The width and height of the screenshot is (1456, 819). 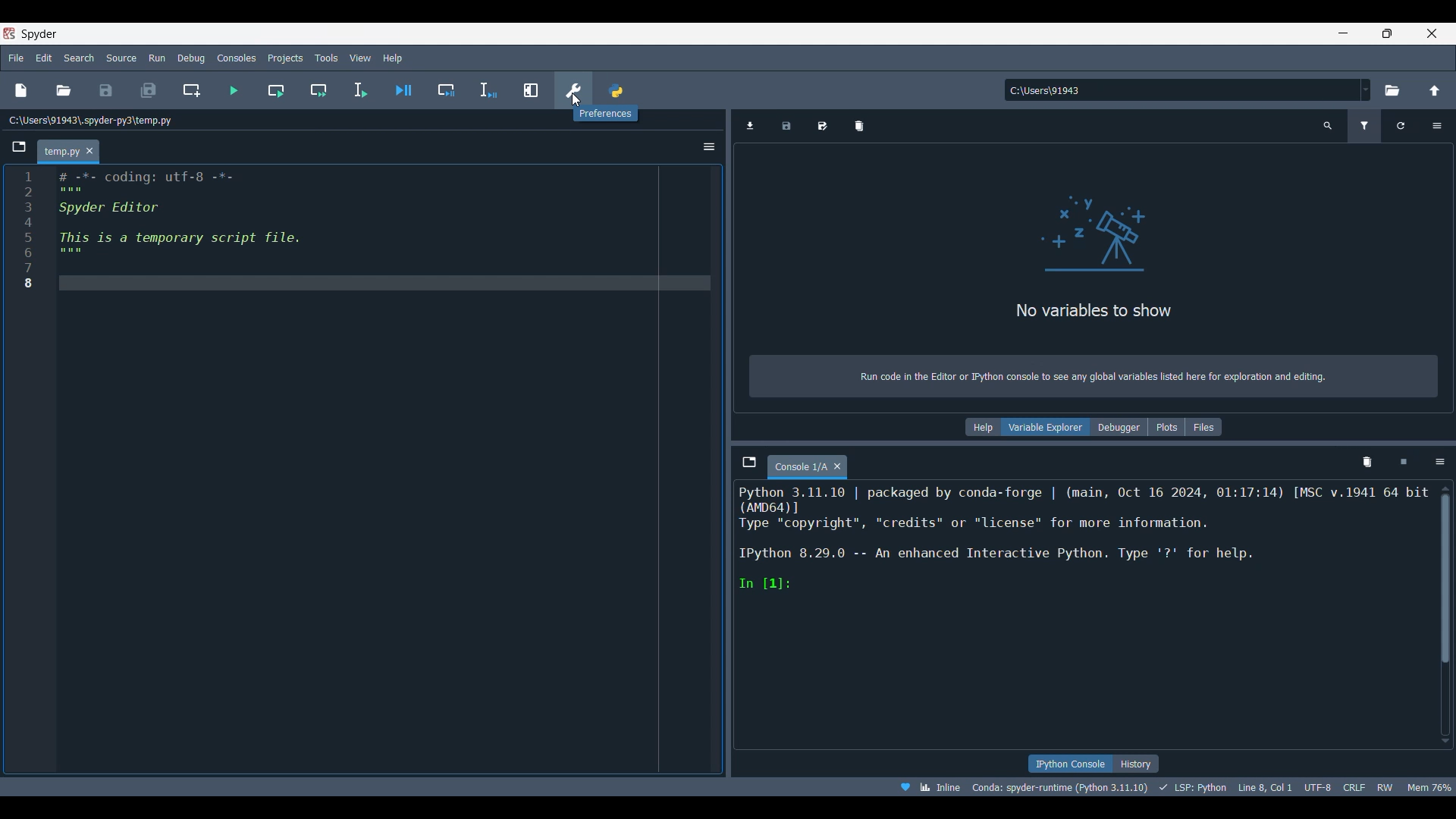 What do you see at coordinates (1388, 788) in the screenshot?
I see `rw` at bounding box center [1388, 788].